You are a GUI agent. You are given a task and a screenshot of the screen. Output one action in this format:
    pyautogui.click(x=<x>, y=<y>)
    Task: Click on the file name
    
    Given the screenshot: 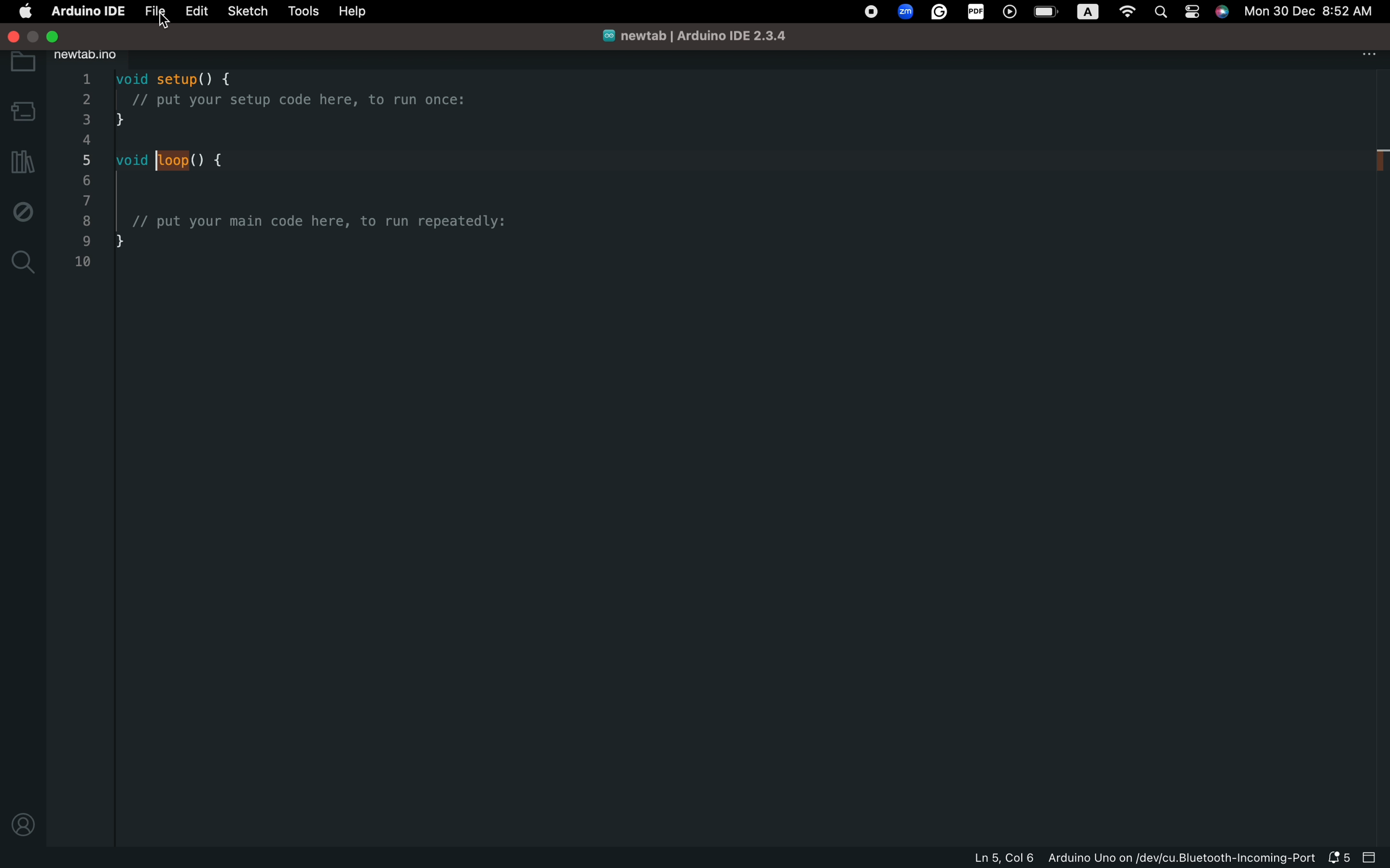 What is the action you would take?
    pyautogui.click(x=679, y=36)
    